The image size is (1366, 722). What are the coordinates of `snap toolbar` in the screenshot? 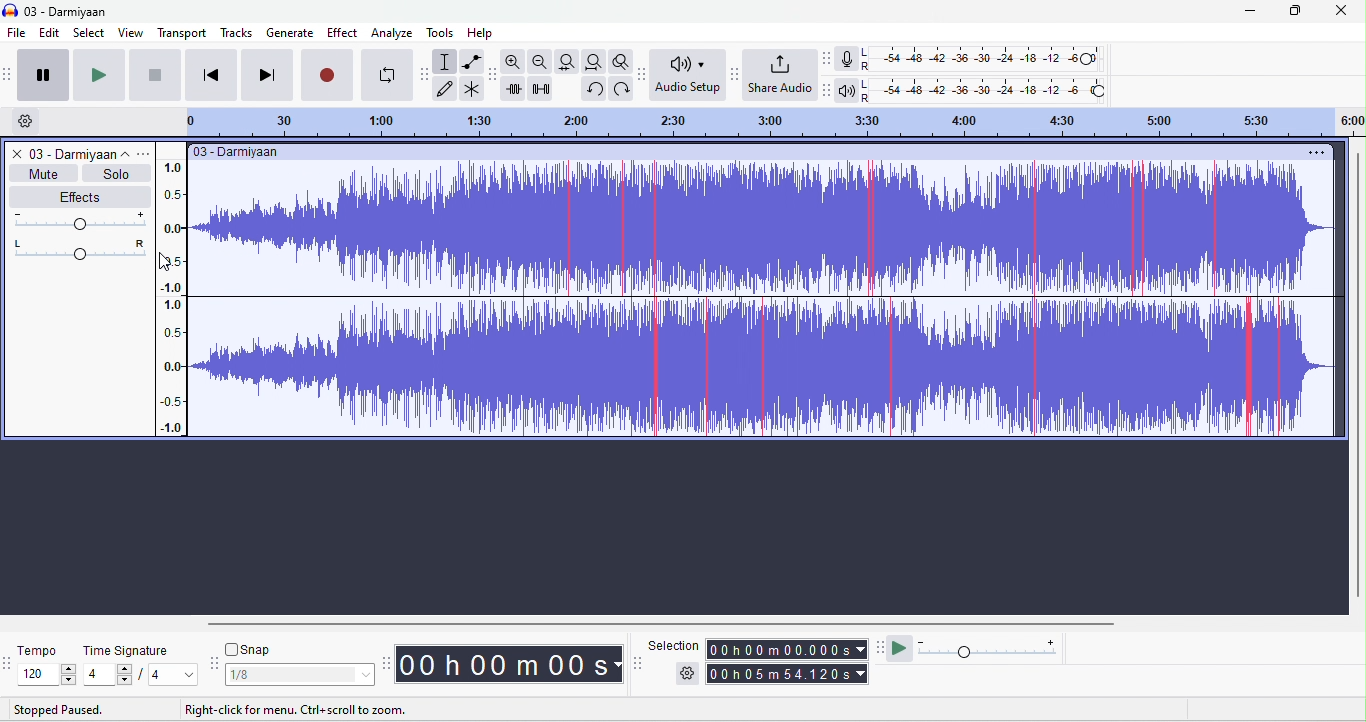 It's located at (213, 663).